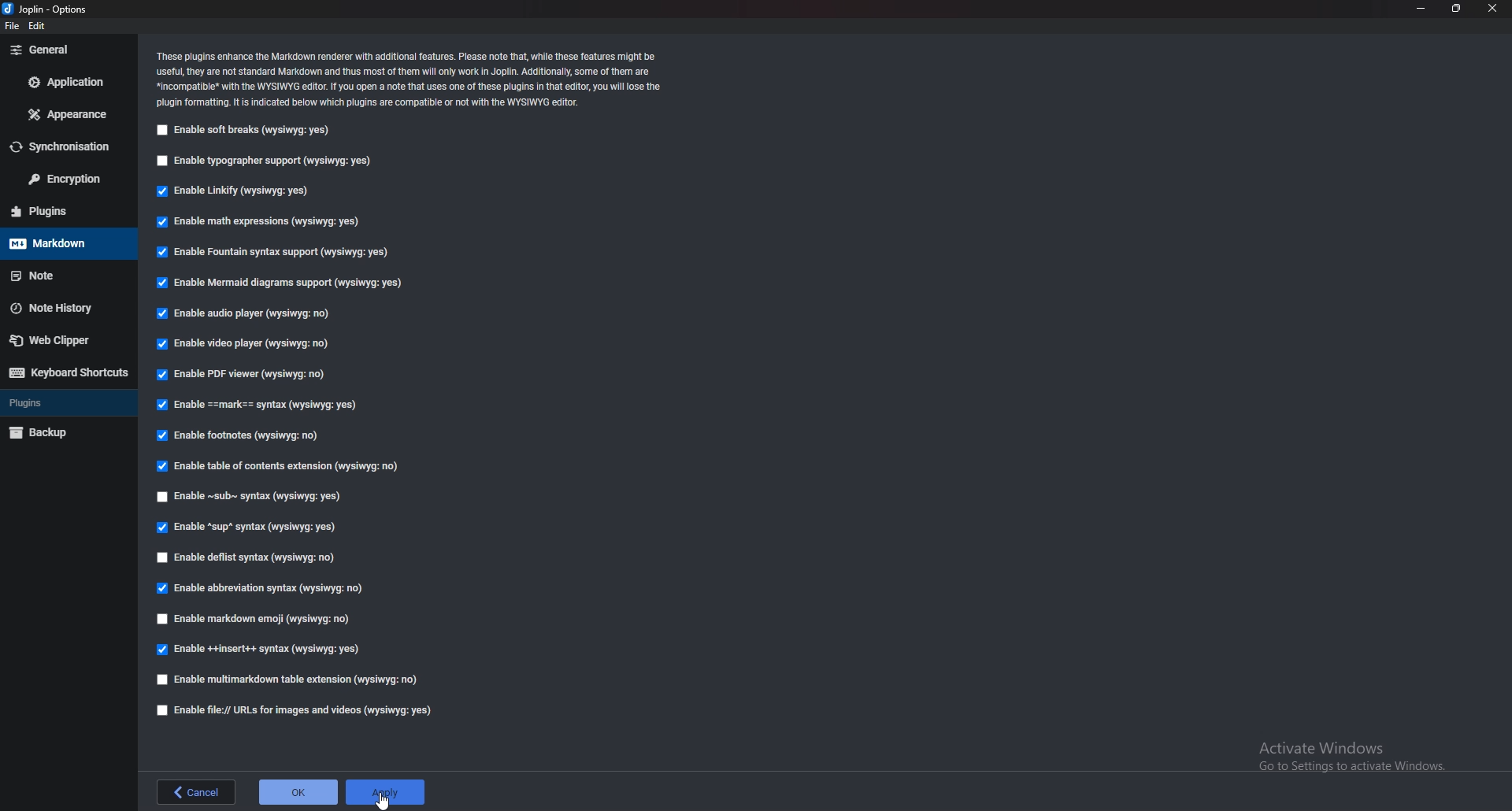 The image size is (1512, 811). Describe the element at coordinates (270, 587) in the screenshot. I see `enable abbreviation syntax` at that location.